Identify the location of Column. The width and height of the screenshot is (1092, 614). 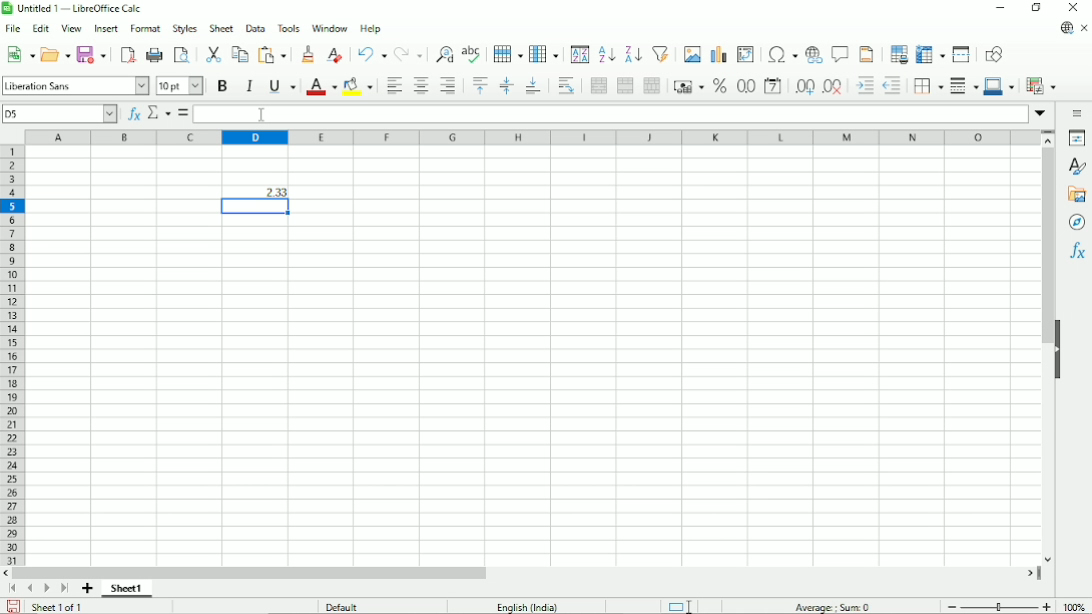
(545, 53).